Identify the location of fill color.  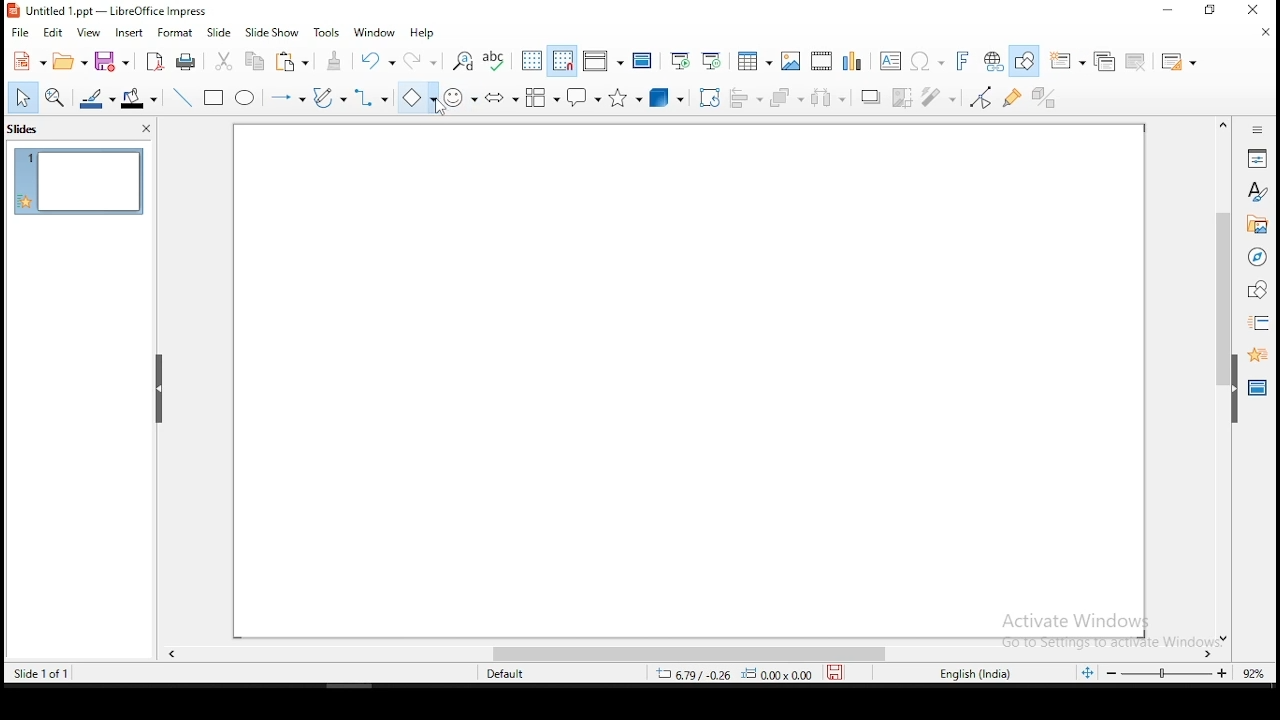
(143, 96).